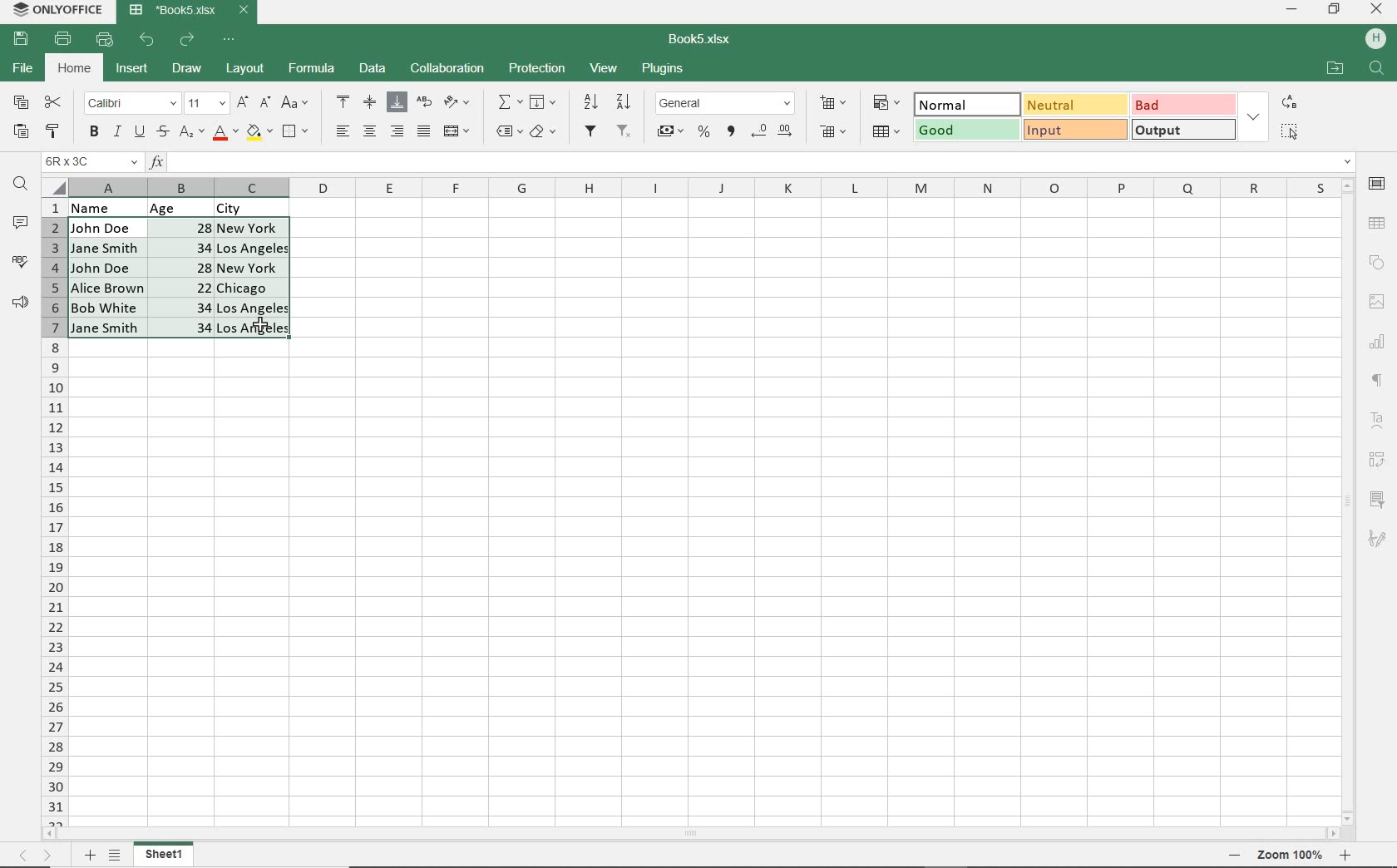 This screenshot has height=868, width=1397. Describe the element at coordinates (1074, 104) in the screenshot. I see `NEUTRAL` at that location.